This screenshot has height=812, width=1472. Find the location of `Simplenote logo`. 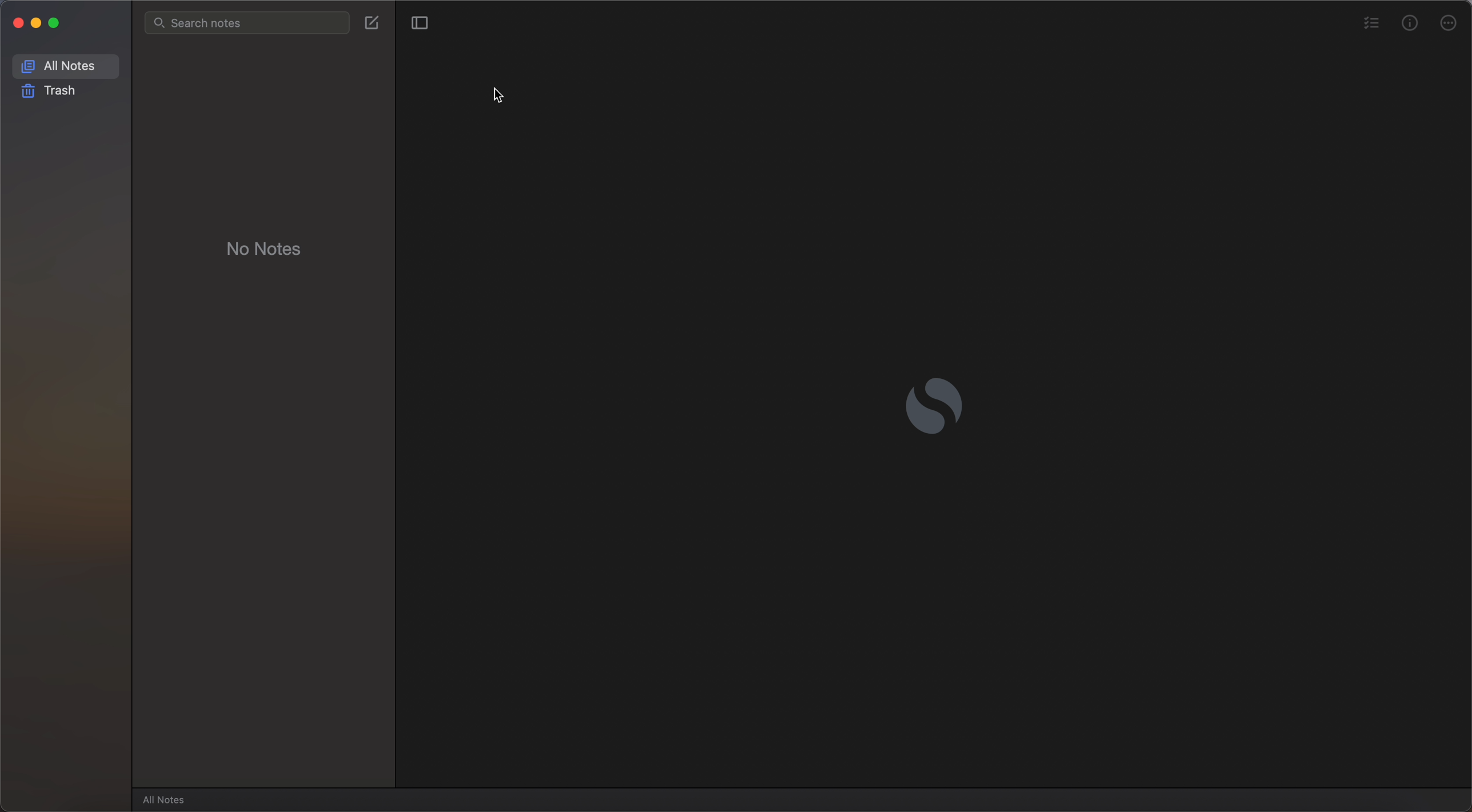

Simplenote logo is located at coordinates (936, 406).